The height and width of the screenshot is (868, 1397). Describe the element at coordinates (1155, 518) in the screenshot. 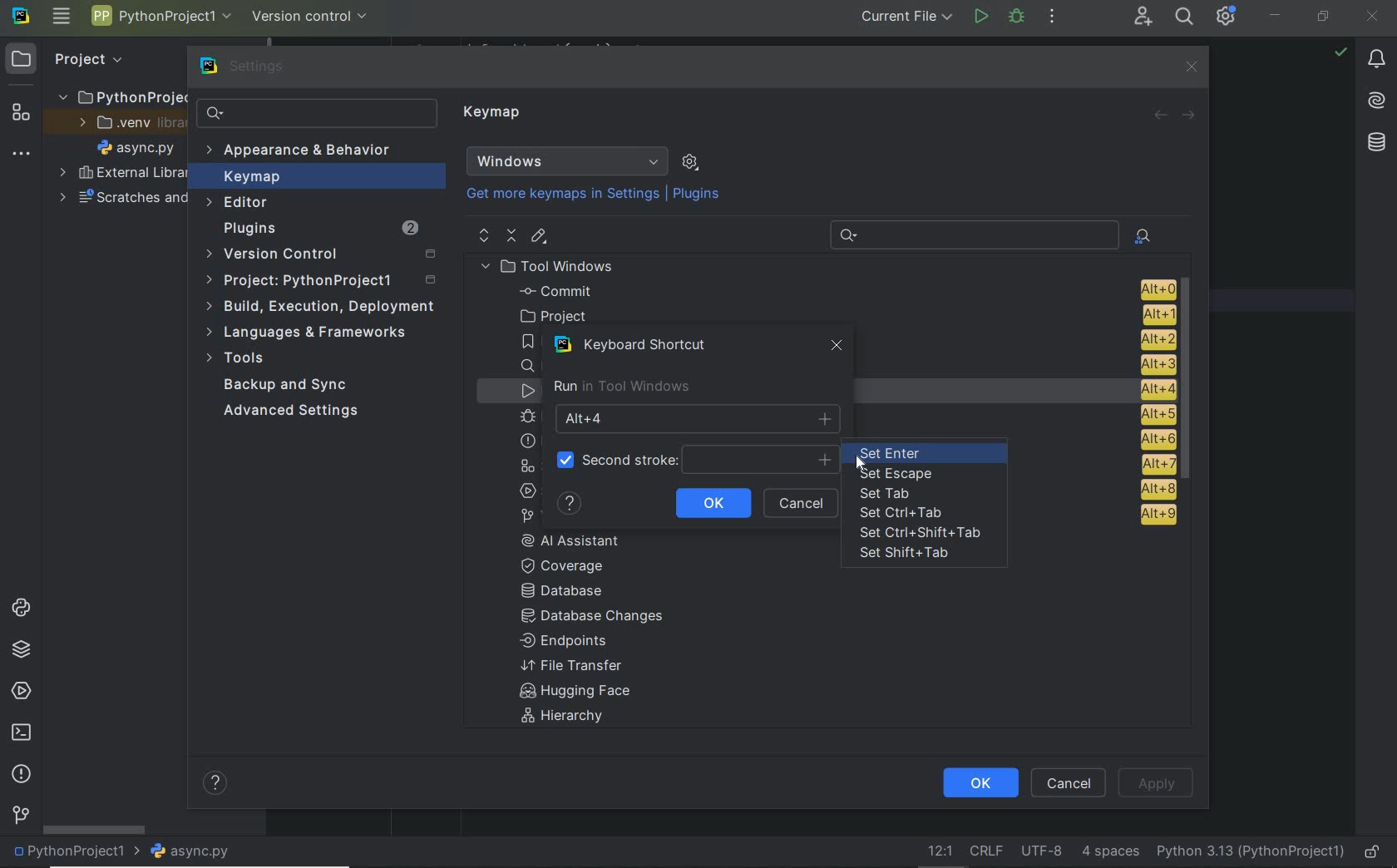

I see `alt + 9` at that location.